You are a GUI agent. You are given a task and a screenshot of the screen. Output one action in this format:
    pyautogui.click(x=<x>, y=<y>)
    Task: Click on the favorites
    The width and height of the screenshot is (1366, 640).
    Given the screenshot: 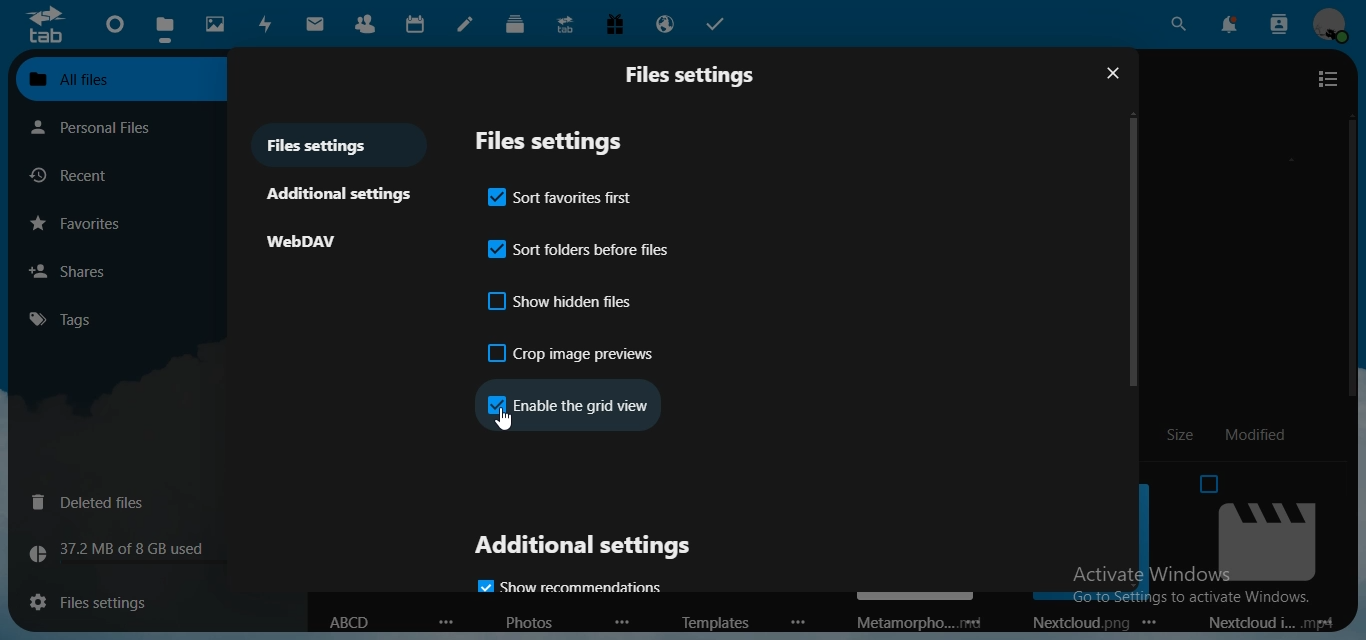 What is the action you would take?
    pyautogui.click(x=128, y=223)
    